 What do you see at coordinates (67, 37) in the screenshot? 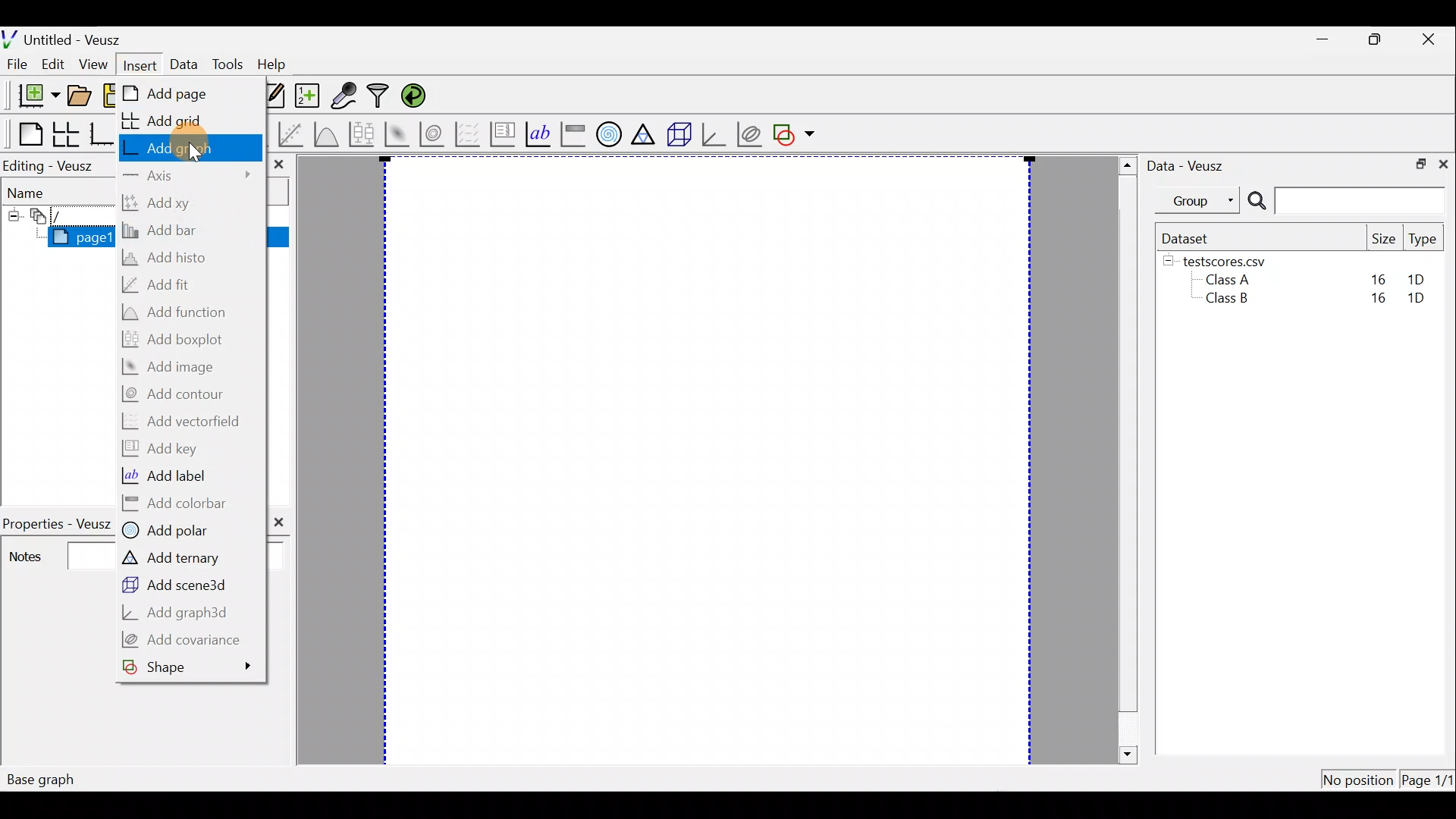
I see `Untitled - Veusz` at bounding box center [67, 37].